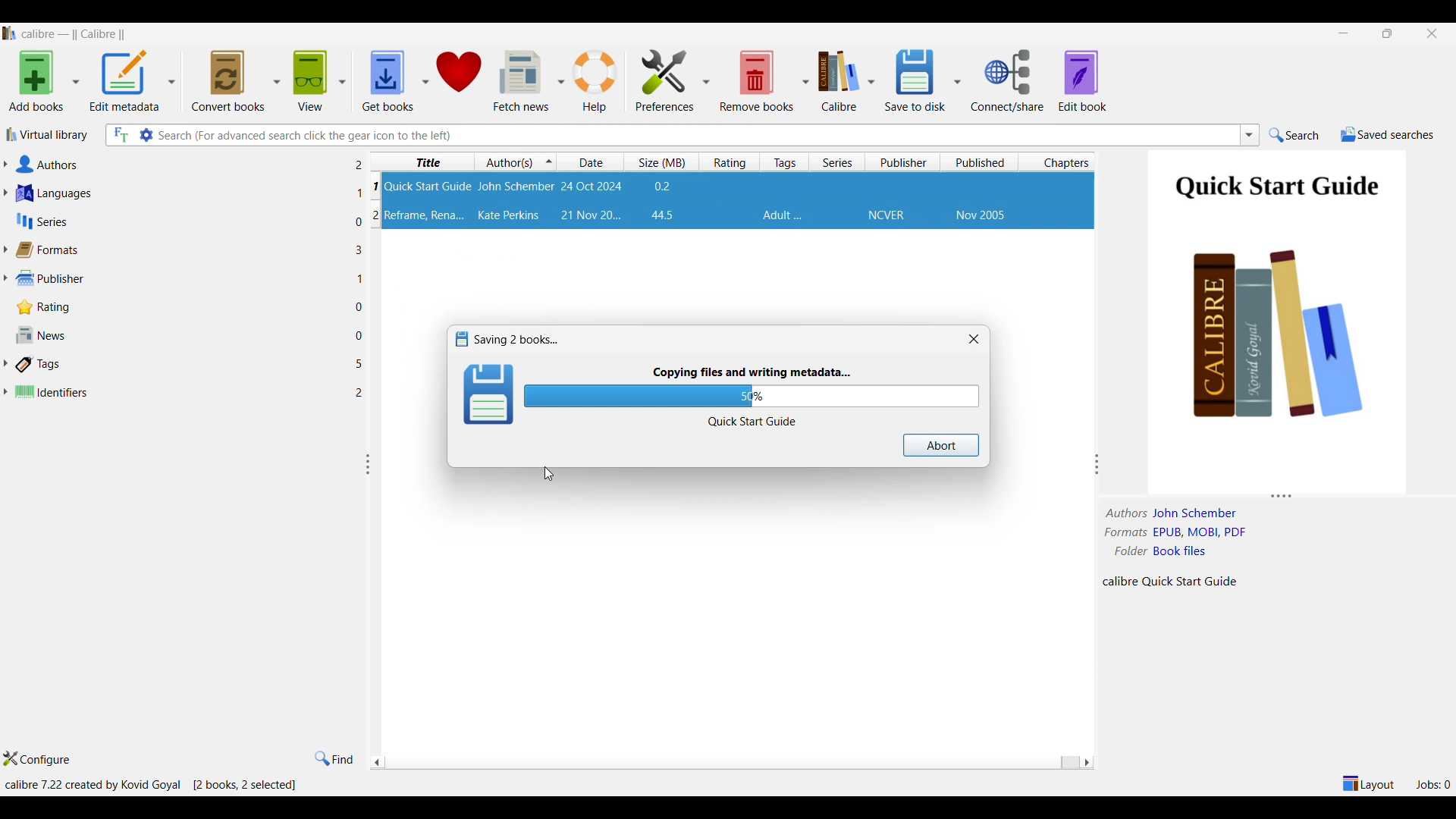  Describe the element at coordinates (983, 162) in the screenshot. I see `Published column` at that location.